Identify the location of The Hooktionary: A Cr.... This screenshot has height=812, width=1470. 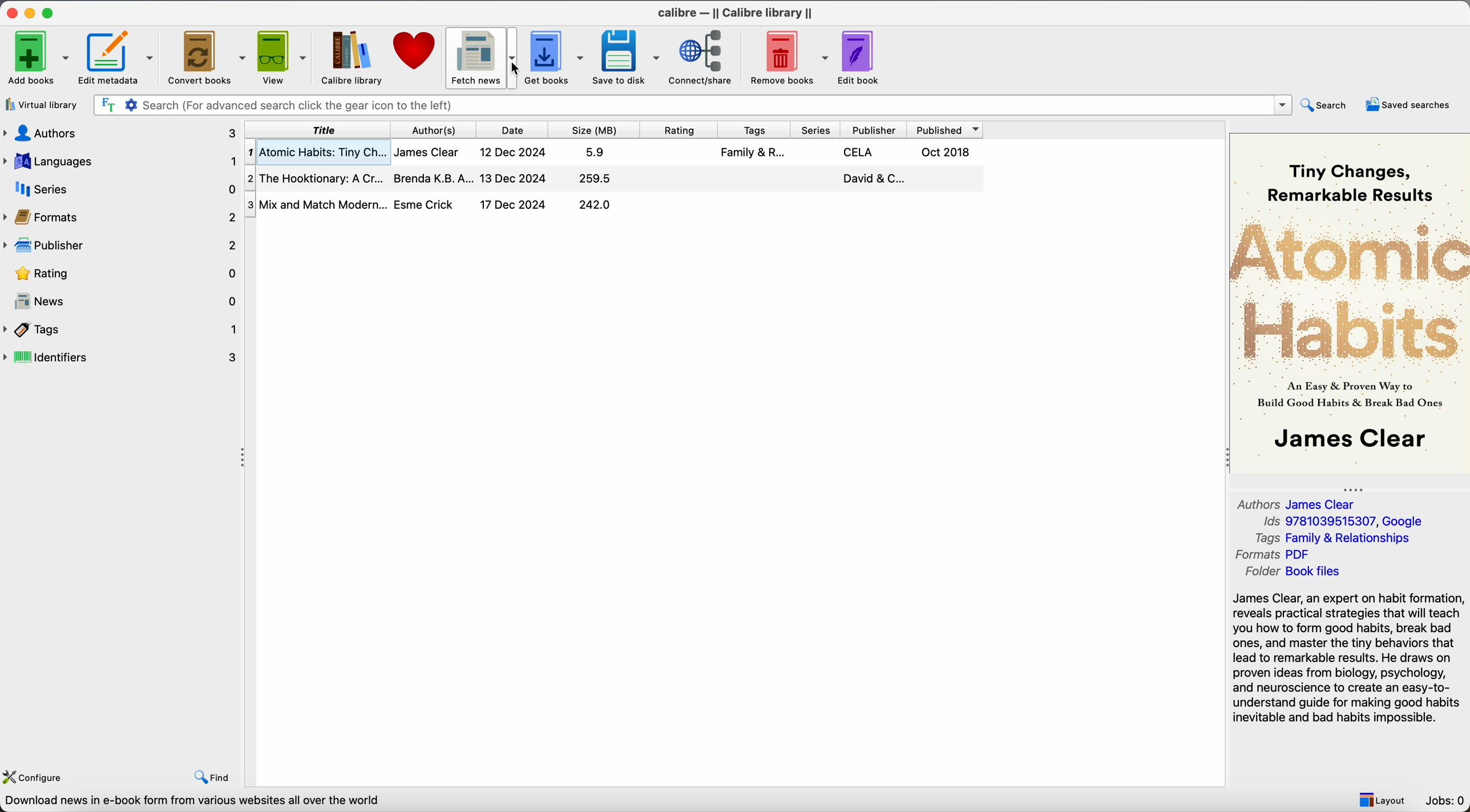
(315, 179).